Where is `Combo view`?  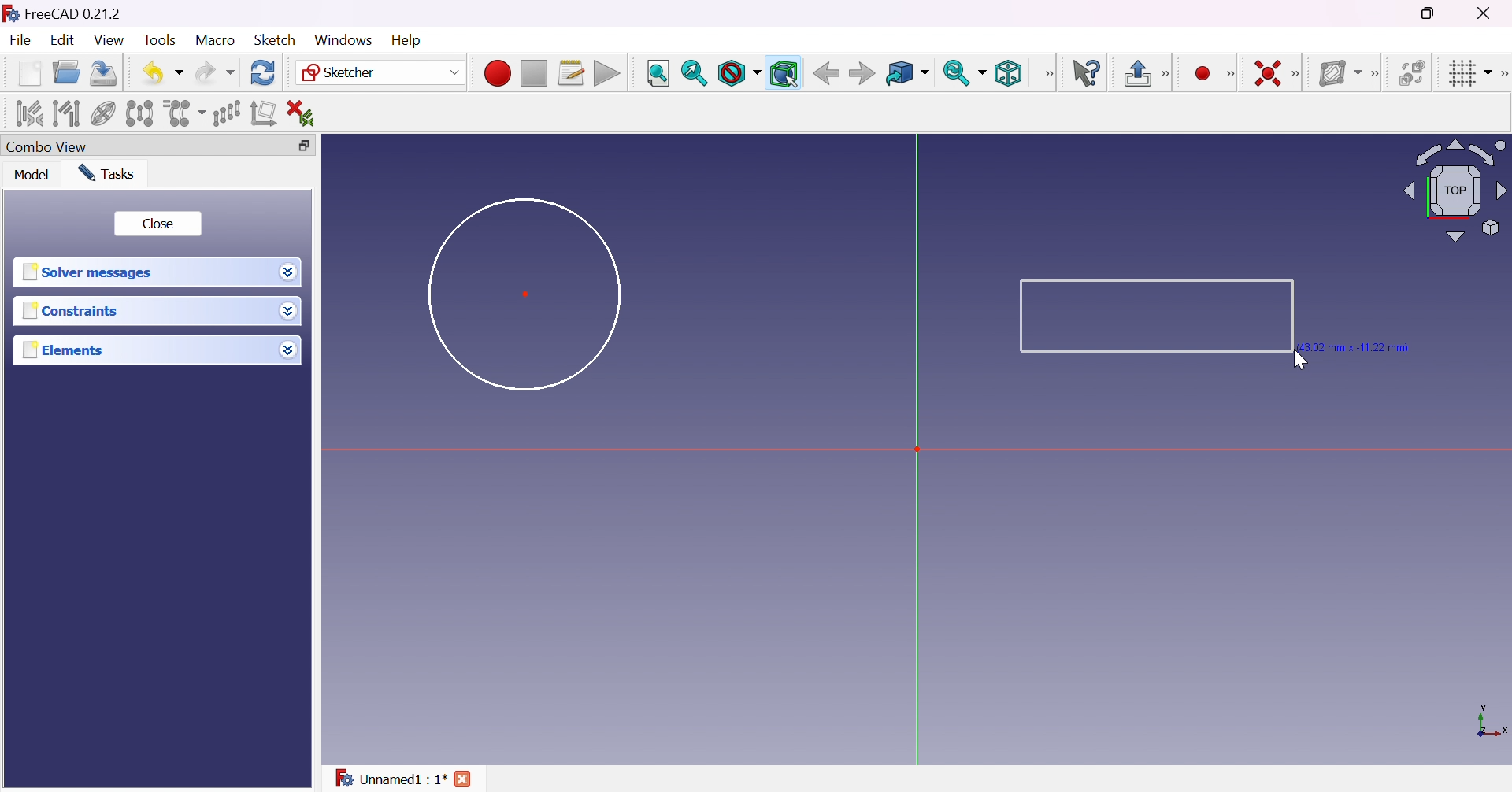
Combo view is located at coordinates (46, 148).